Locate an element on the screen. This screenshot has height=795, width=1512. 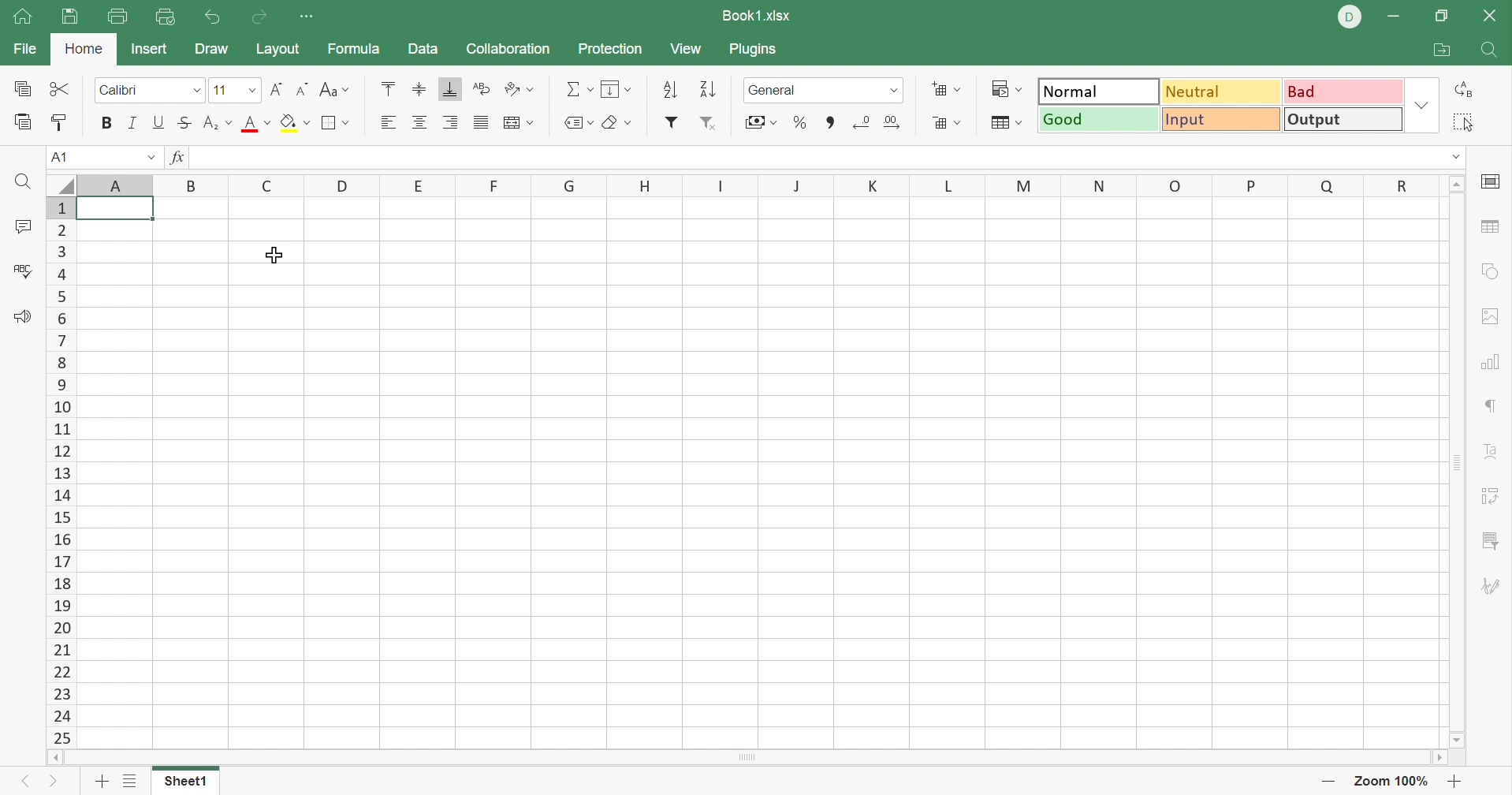
Redo is located at coordinates (259, 19).